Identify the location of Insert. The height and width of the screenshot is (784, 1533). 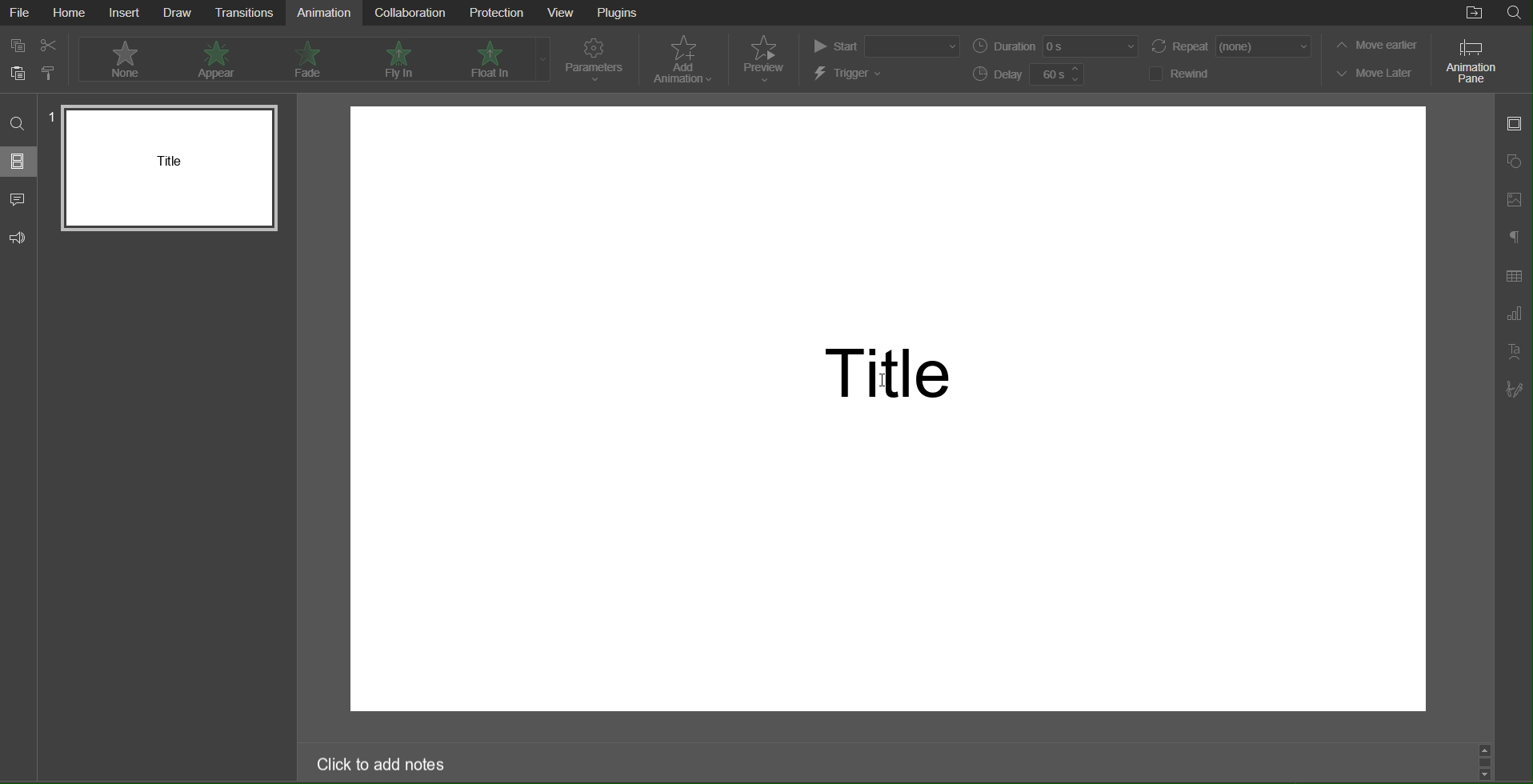
(127, 14).